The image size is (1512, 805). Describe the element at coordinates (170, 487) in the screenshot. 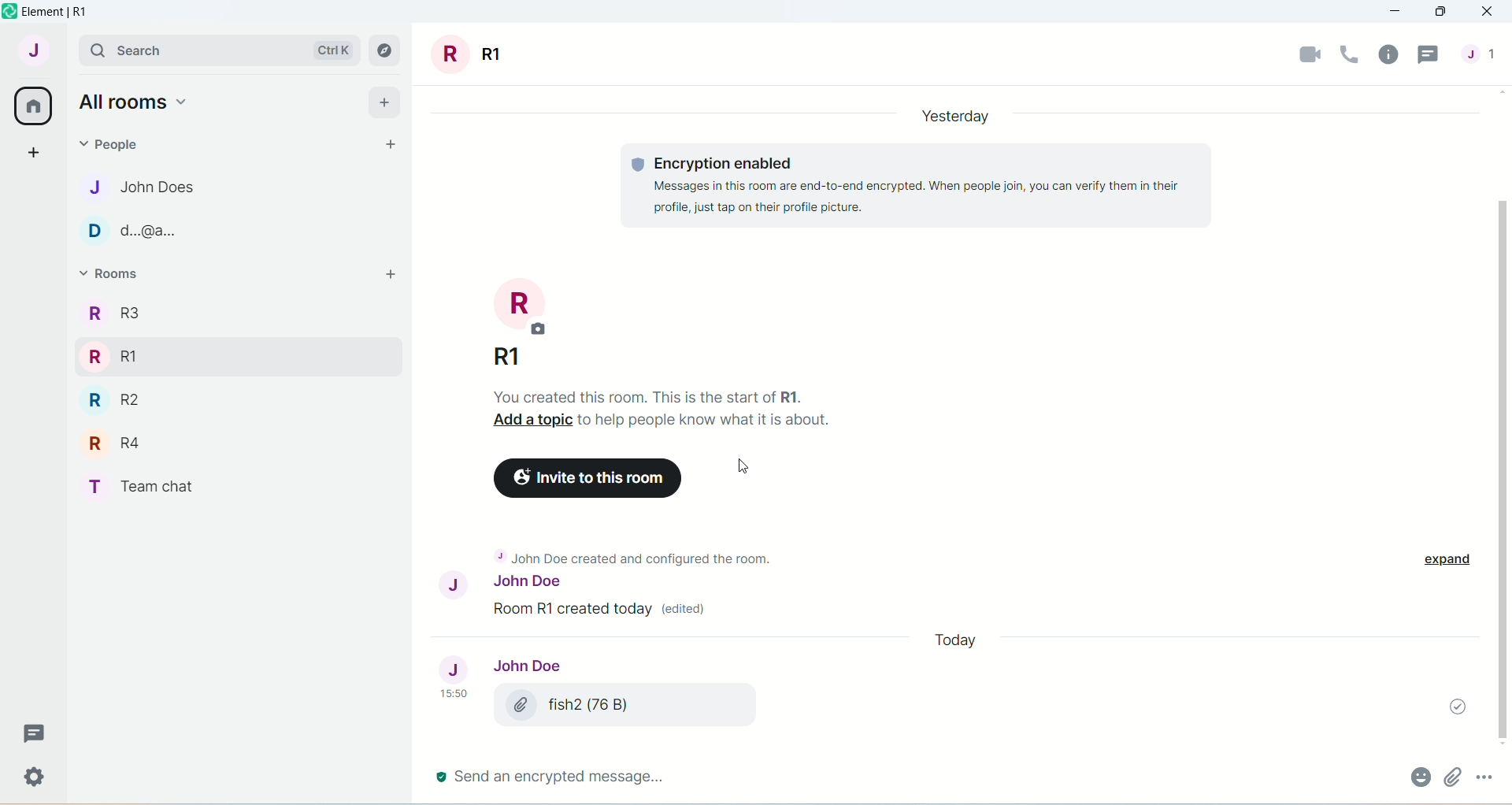

I see `T Team chat` at that location.